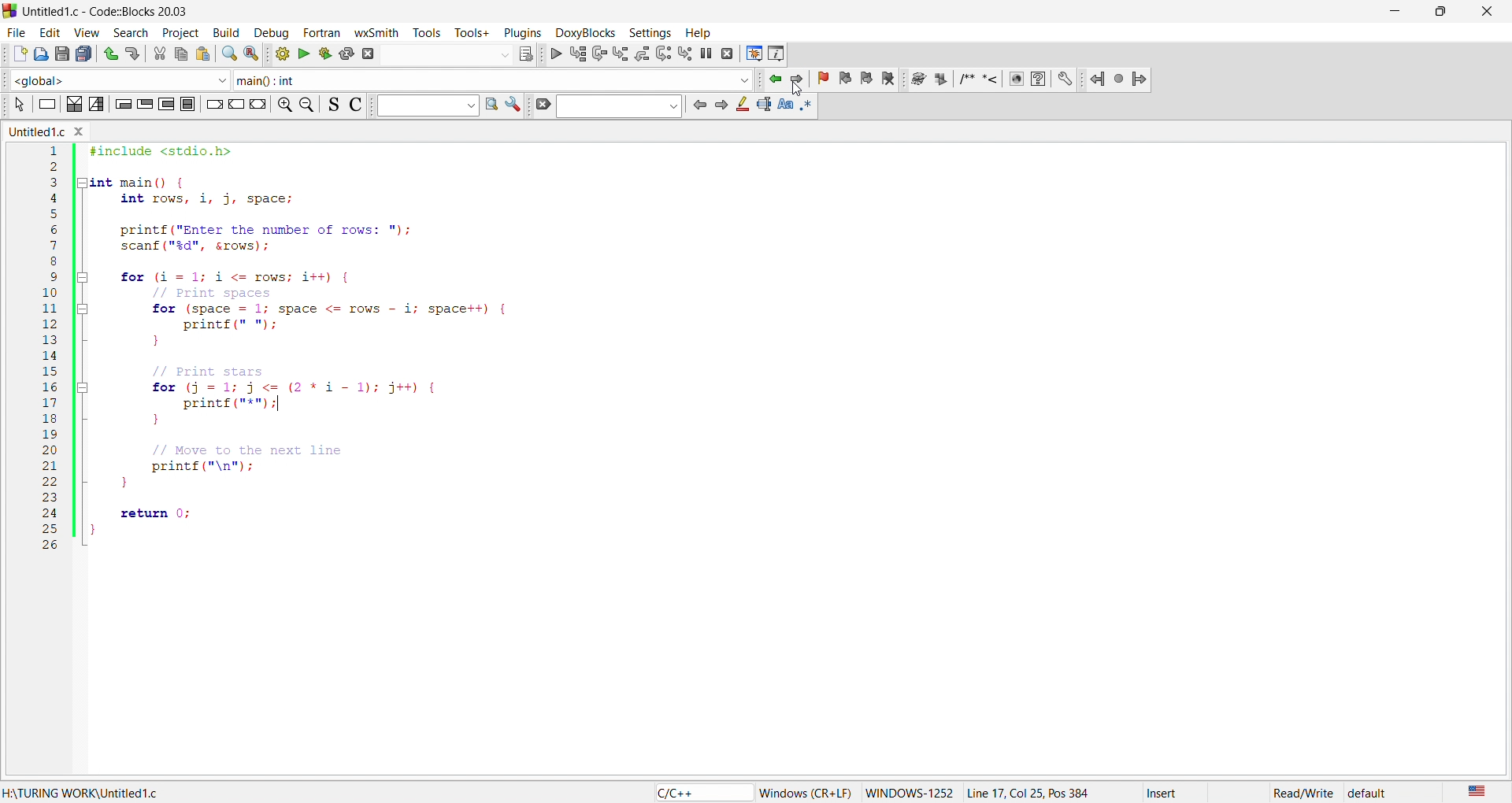 The image size is (1512, 803). What do you see at coordinates (116, 80) in the screenshot?
I see `function scope` at bounding box center [116, 80].